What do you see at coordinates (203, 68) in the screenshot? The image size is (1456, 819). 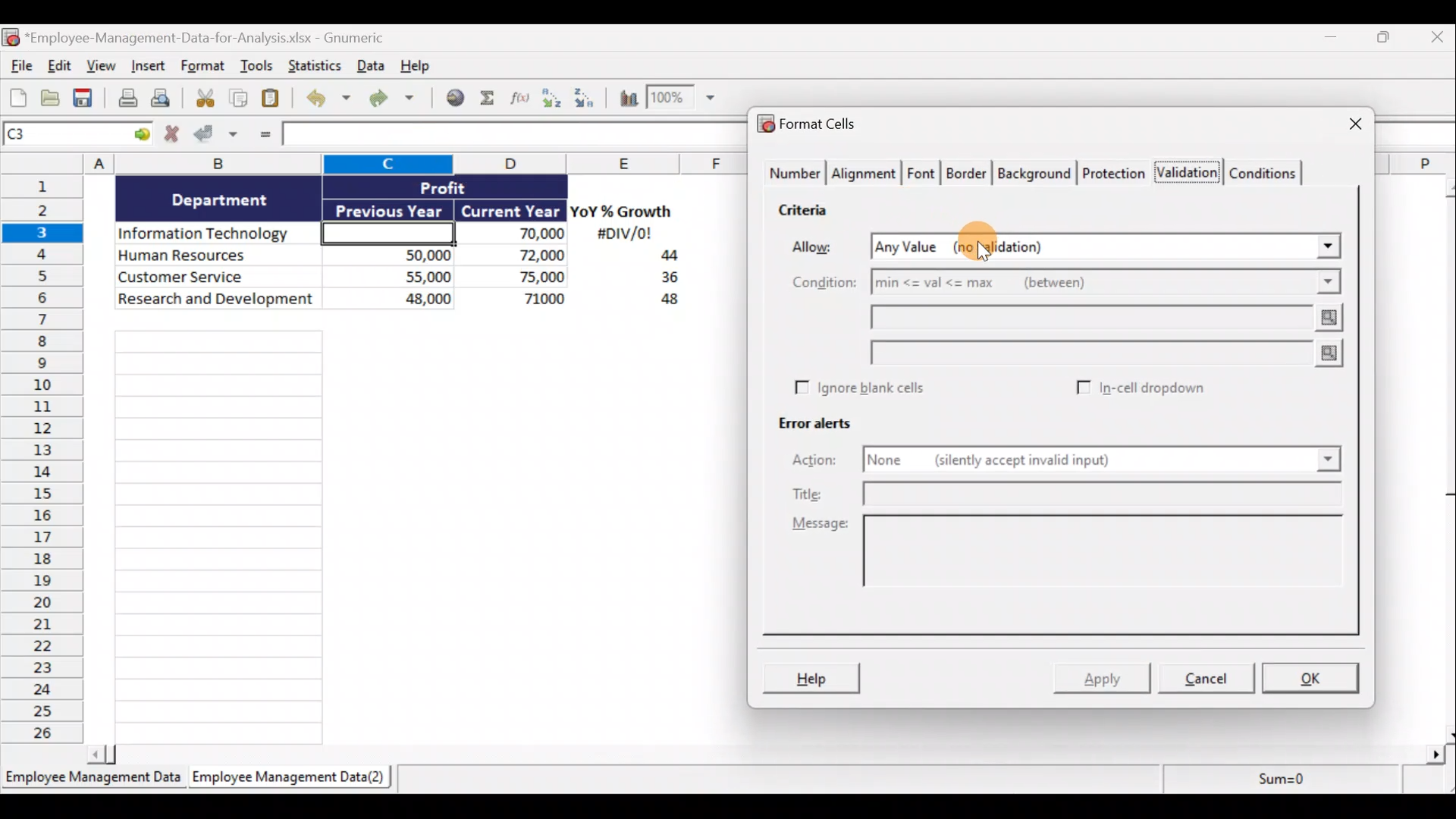 I see `Format` at bounding box center [203, 68].